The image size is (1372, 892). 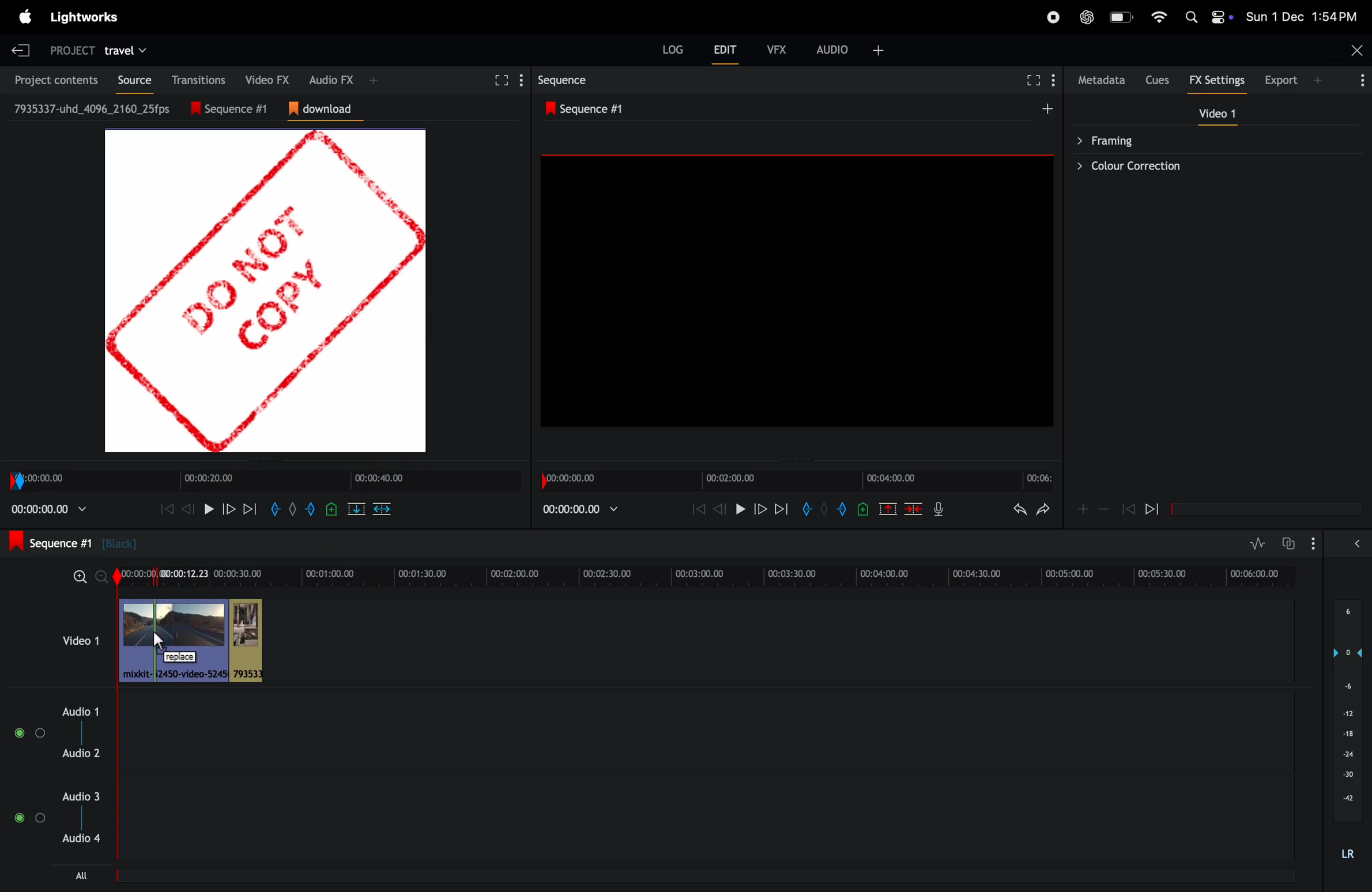 What do you see at coordinates (710, 577) in the screenshot?
I see `timef frame` at bounding box center [710, 577].